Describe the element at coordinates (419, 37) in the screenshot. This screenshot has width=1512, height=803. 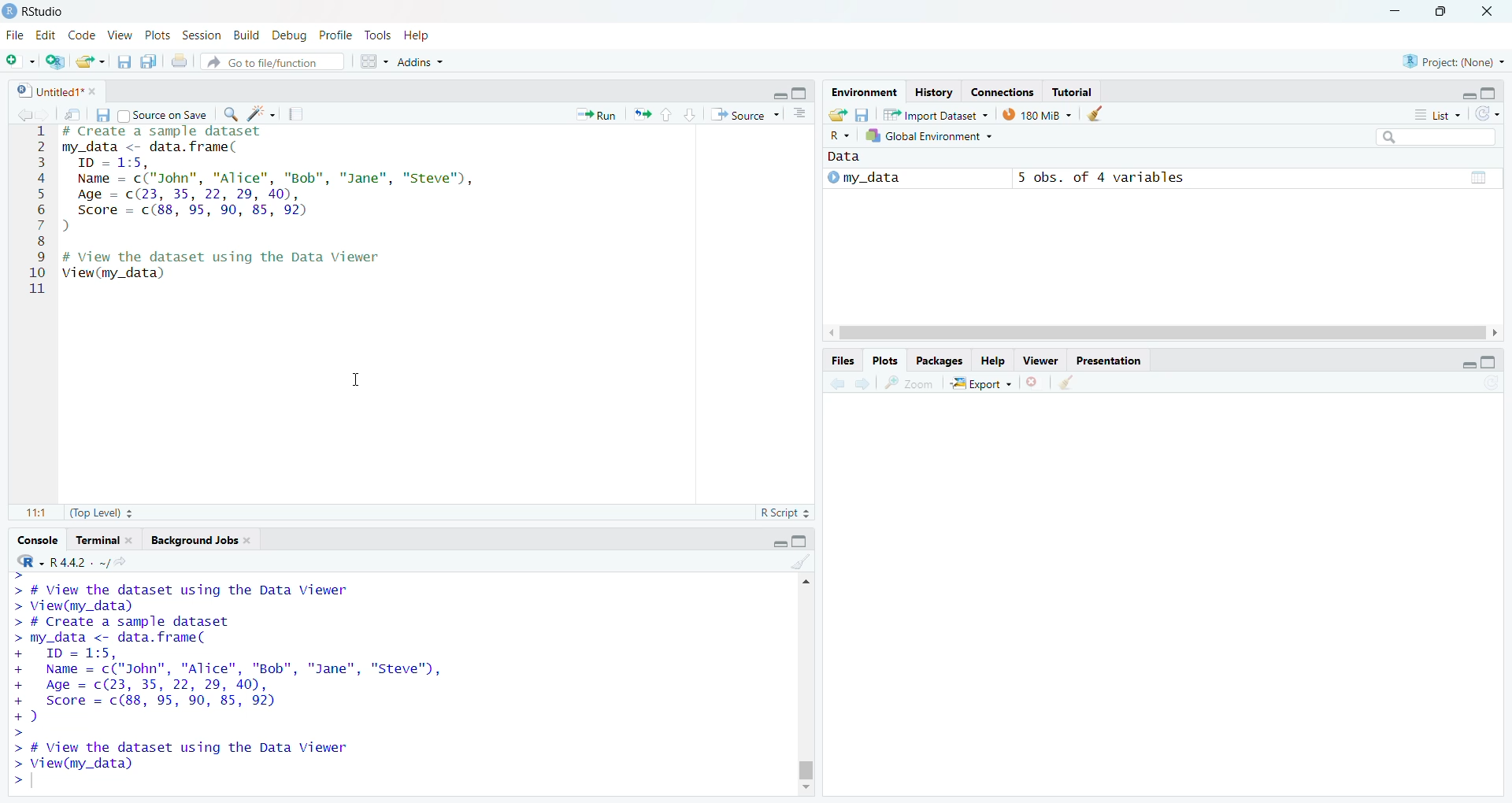
I see `Help` at that location.